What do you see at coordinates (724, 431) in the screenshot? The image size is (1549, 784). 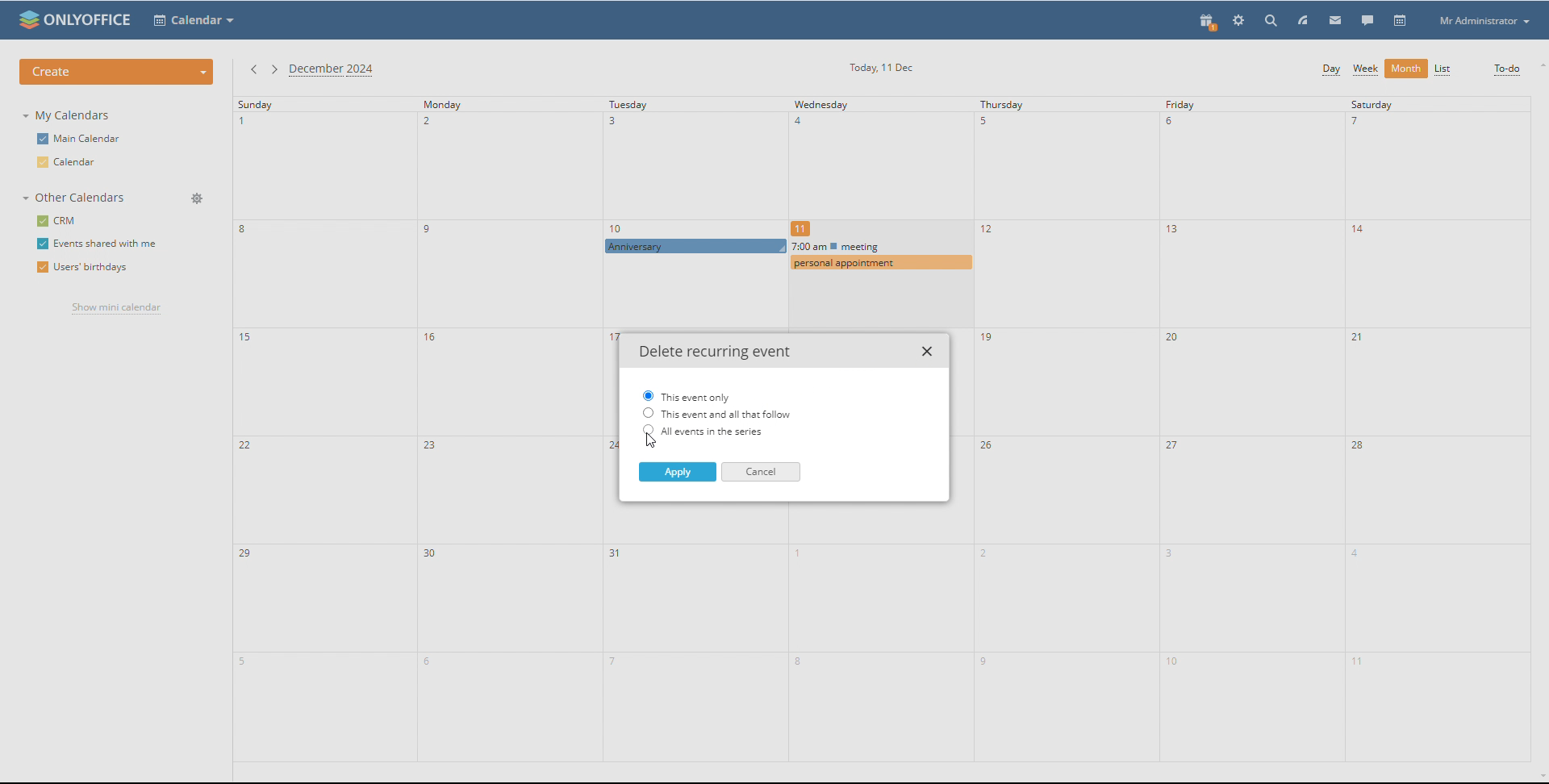 I see `all events in the series` at bounding box center [724, 431].